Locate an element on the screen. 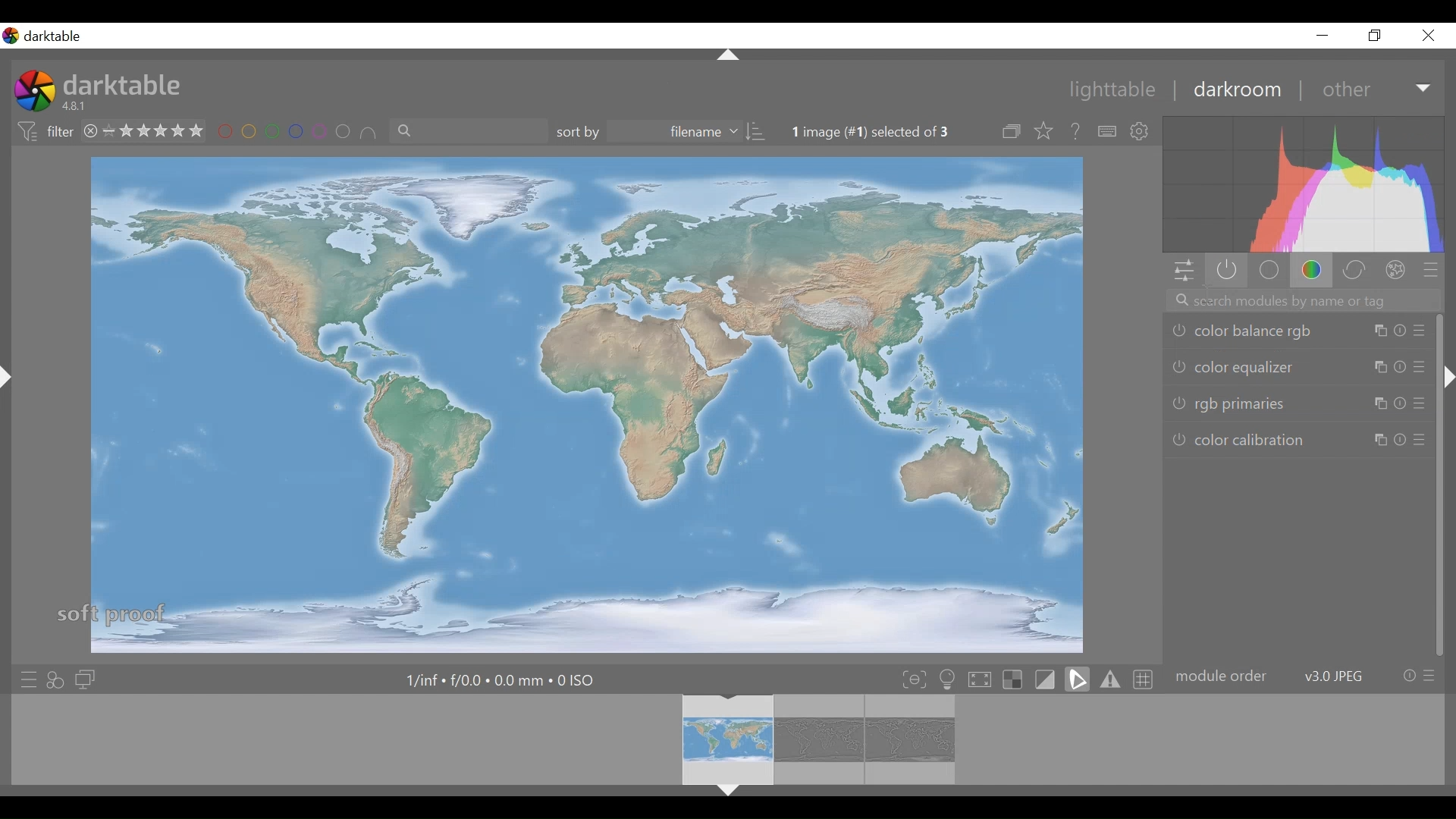 Image resolution: width=1456 pixels, height=819 pixels. color equalizer is located at coordinates (1301, 368).